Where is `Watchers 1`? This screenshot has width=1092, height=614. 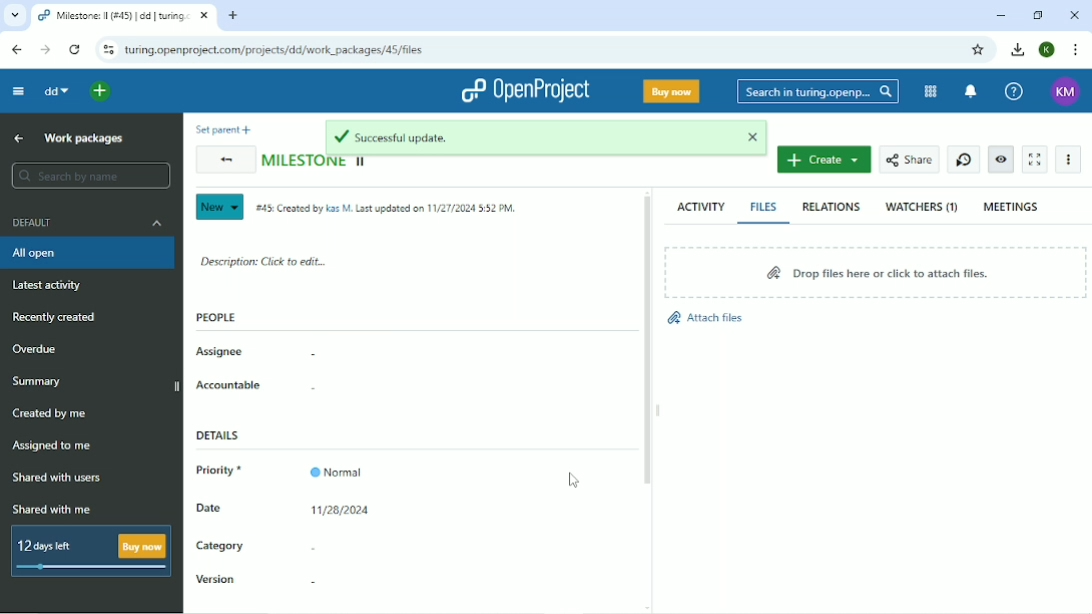 Watchers 1 is located at coordinates (922, 207).